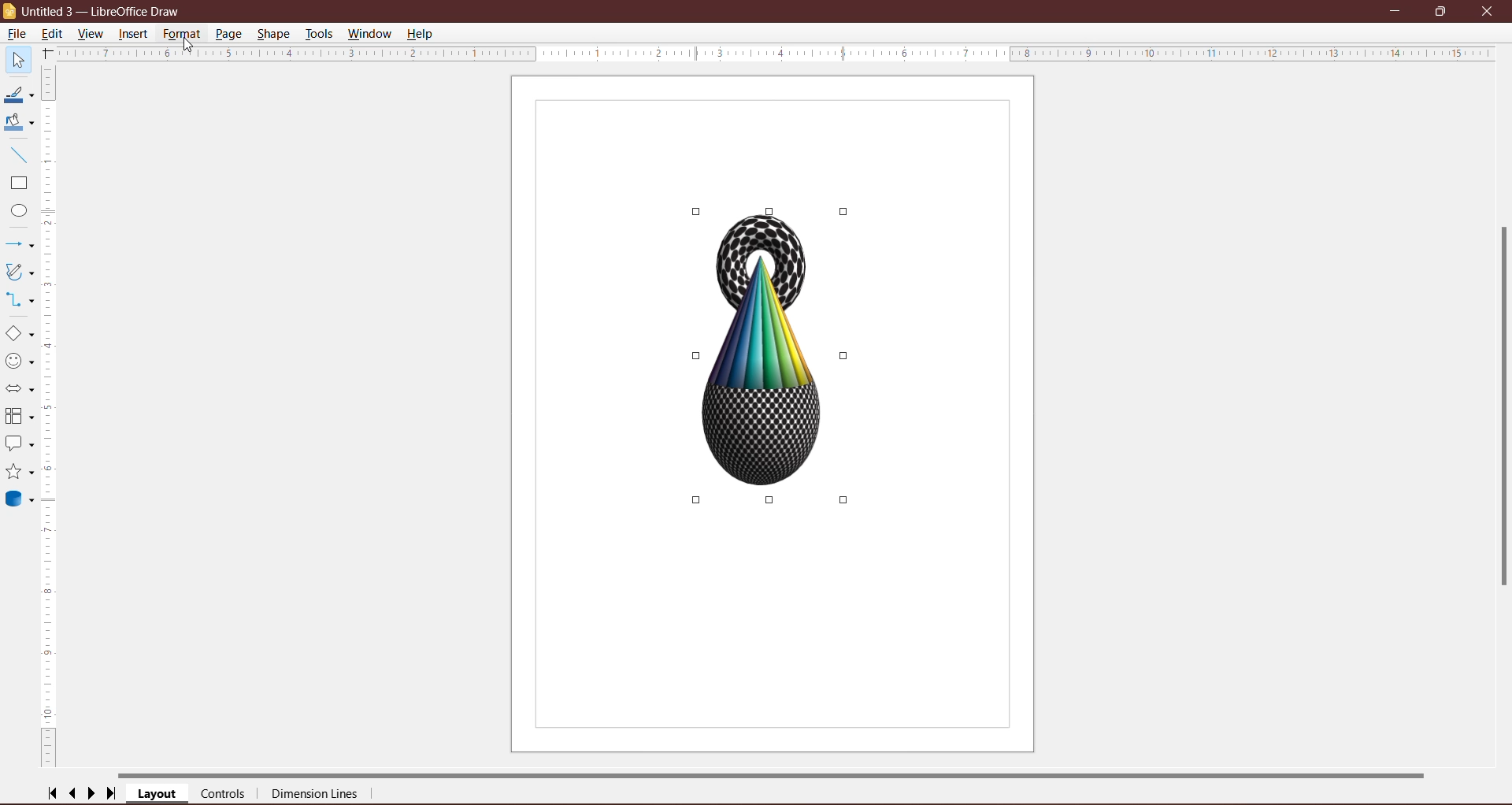  I want to click on Application Logo, so click(9, 12).